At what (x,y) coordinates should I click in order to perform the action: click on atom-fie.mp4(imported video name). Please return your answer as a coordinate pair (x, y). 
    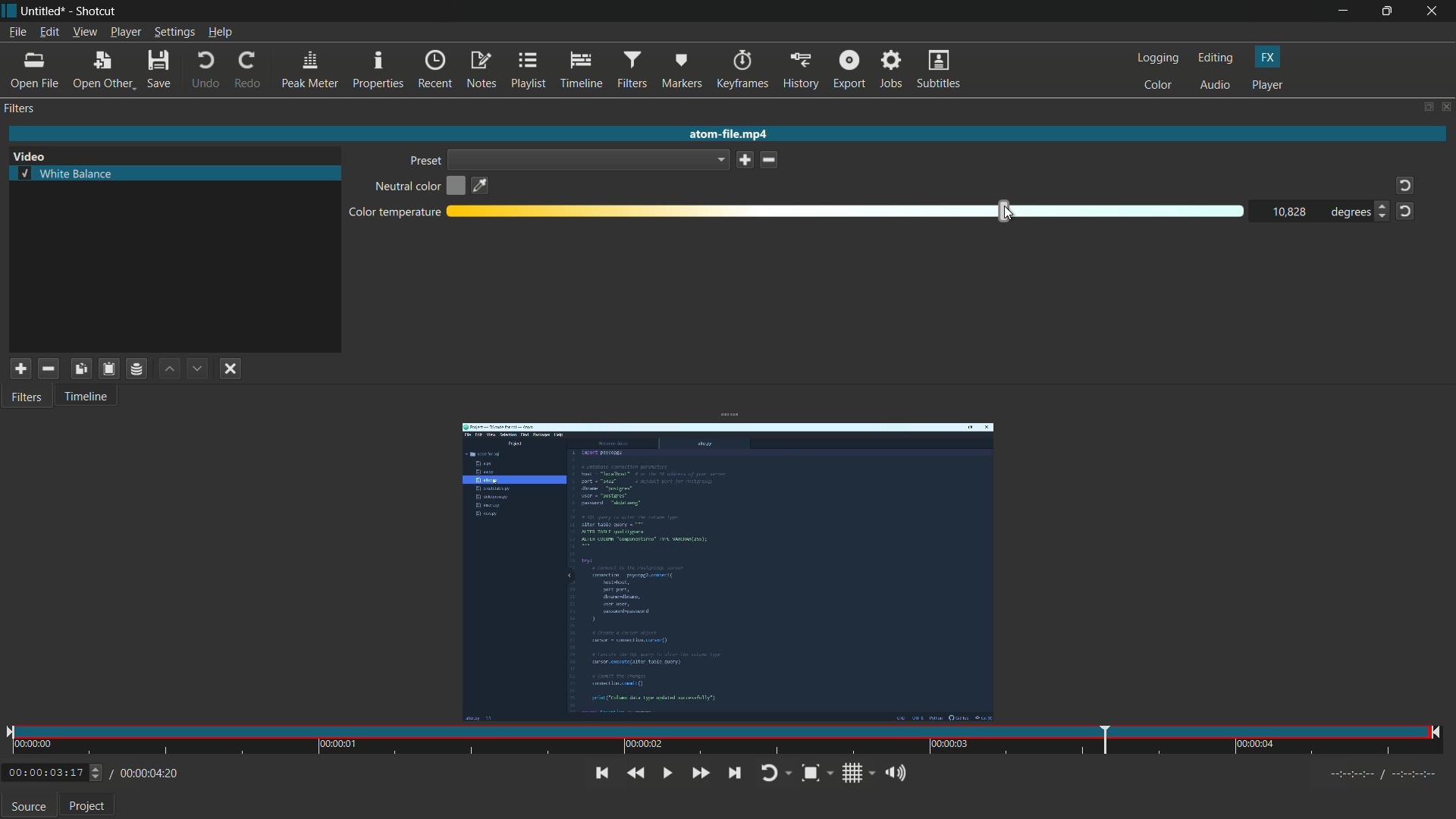
    Looking at the image, I should click on (725, 134).